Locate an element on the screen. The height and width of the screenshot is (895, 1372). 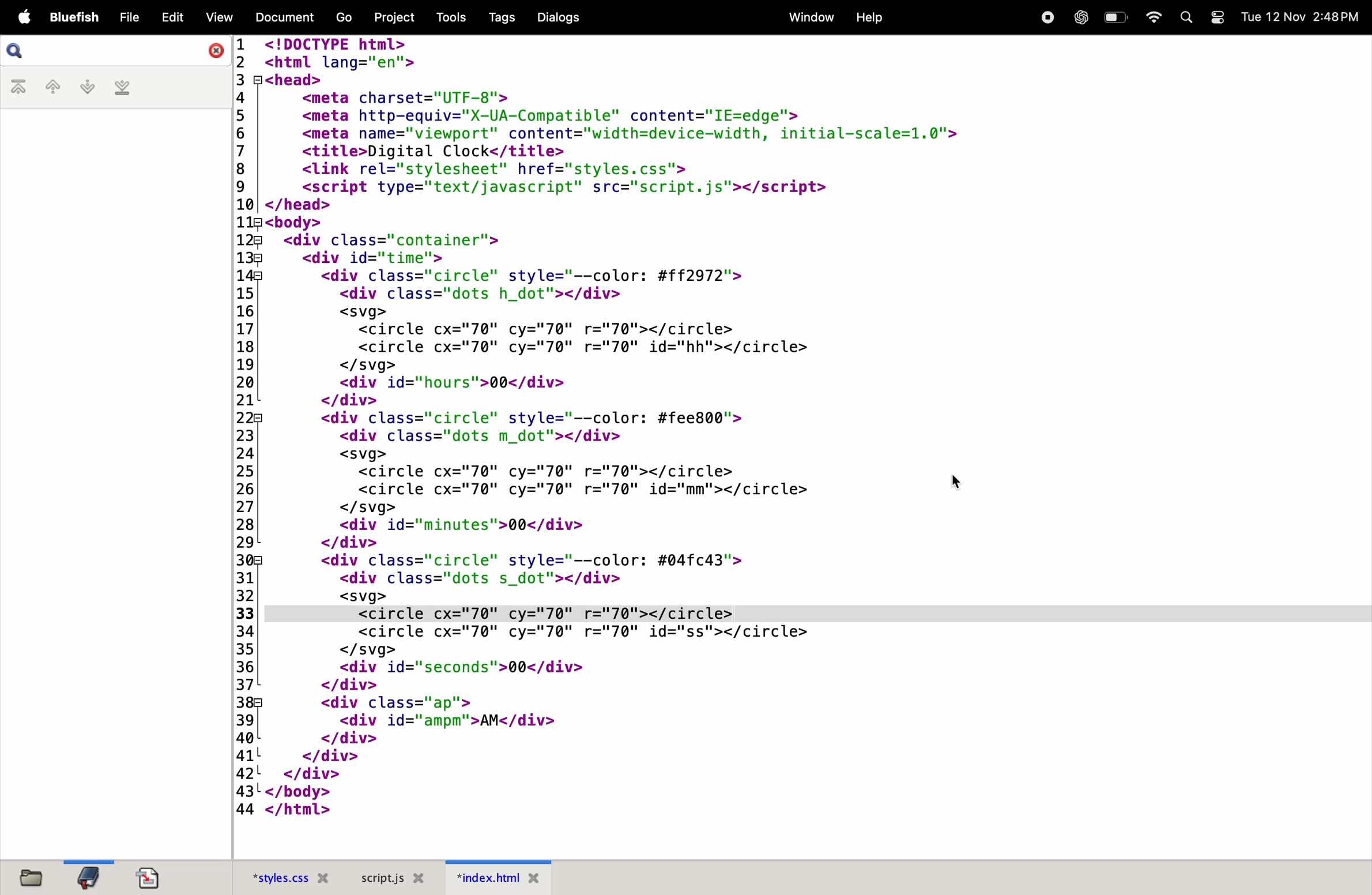
last bookmark is located at coordinates (125, 89).